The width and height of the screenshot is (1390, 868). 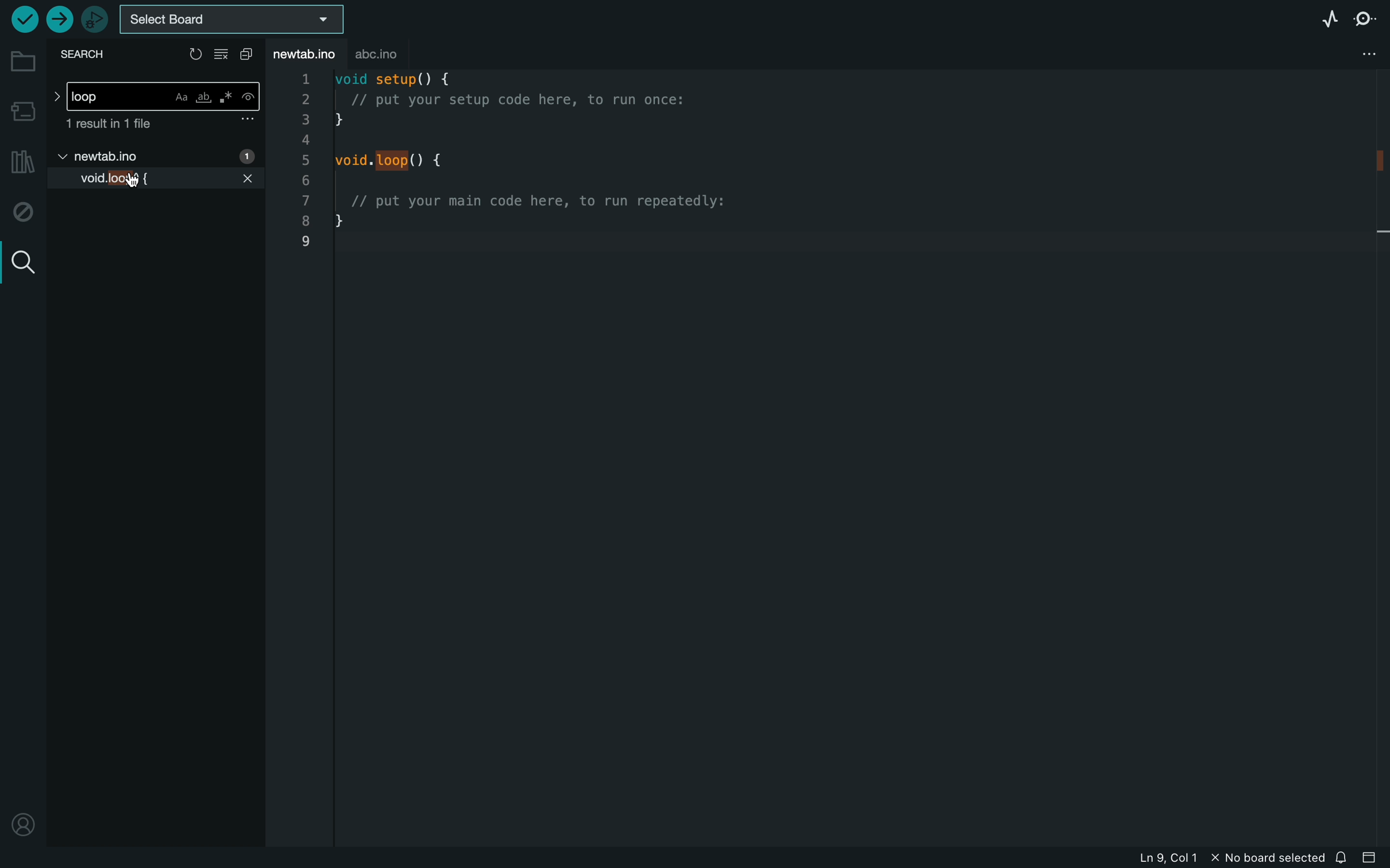 What do you see at coordinates (539, 164) in the screenshot?
I see `code` at bounding box center [539, 164].